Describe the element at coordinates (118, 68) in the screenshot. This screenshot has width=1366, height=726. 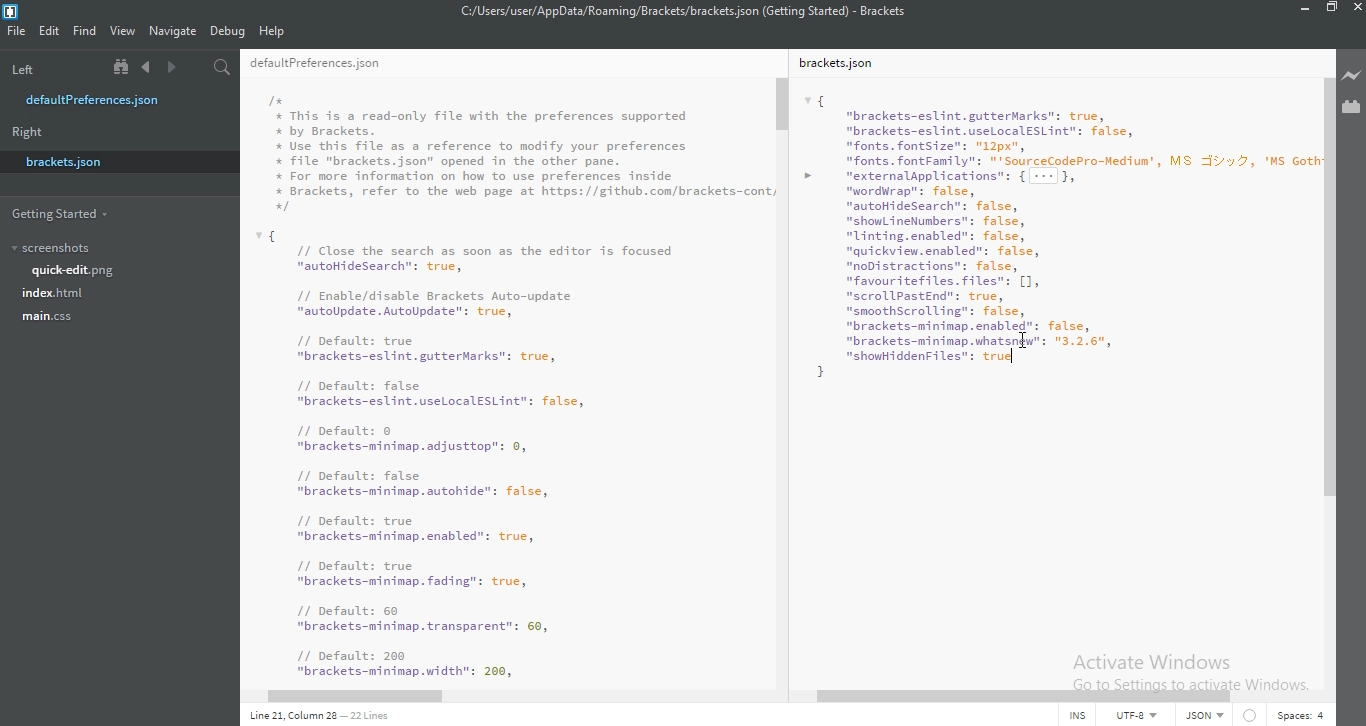
I see `show file tree` at that location.